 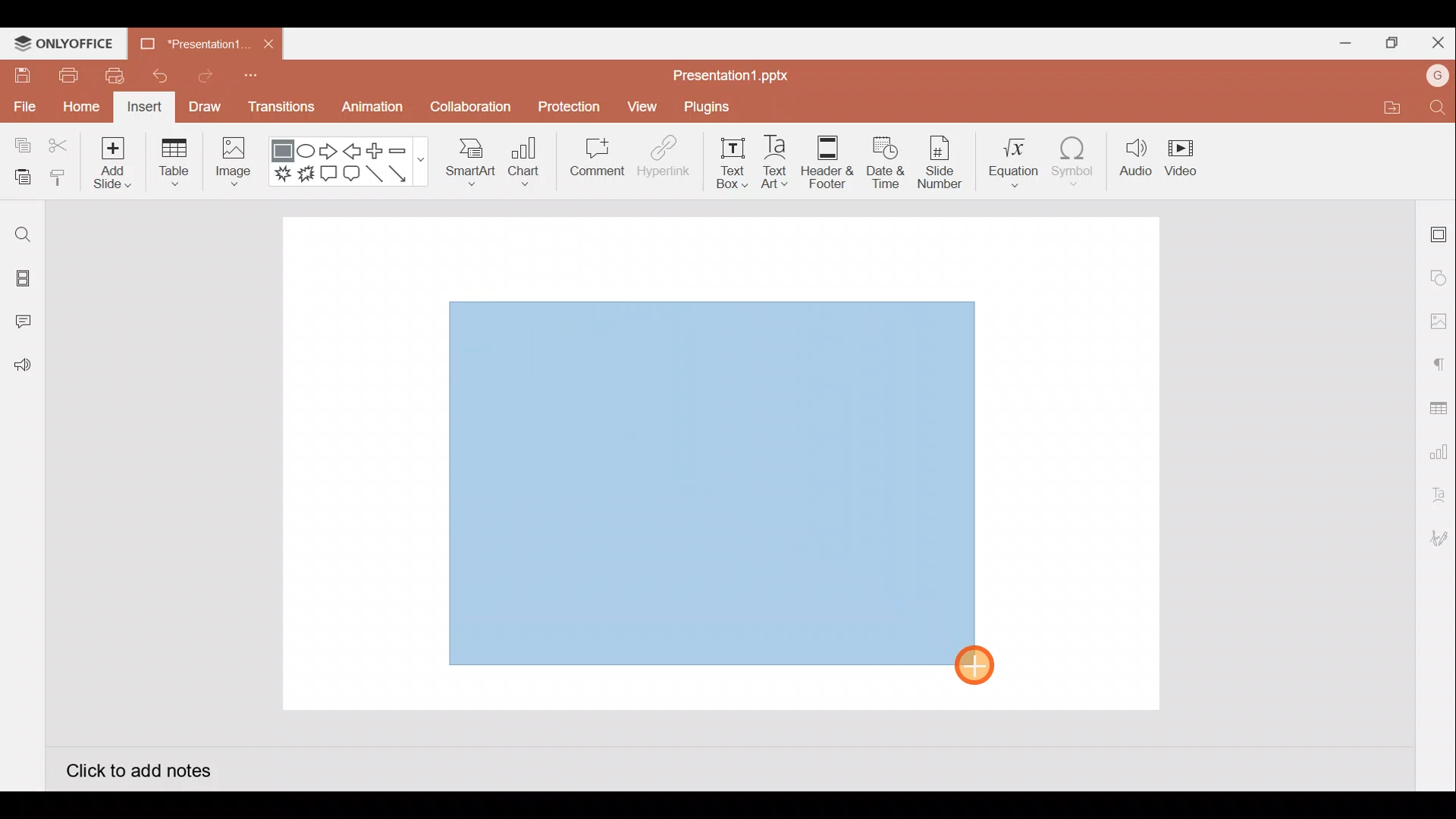 What do you see at coordinates (20, 74) in the screenshot?
I see `Save` at bounding box center [20, 74].